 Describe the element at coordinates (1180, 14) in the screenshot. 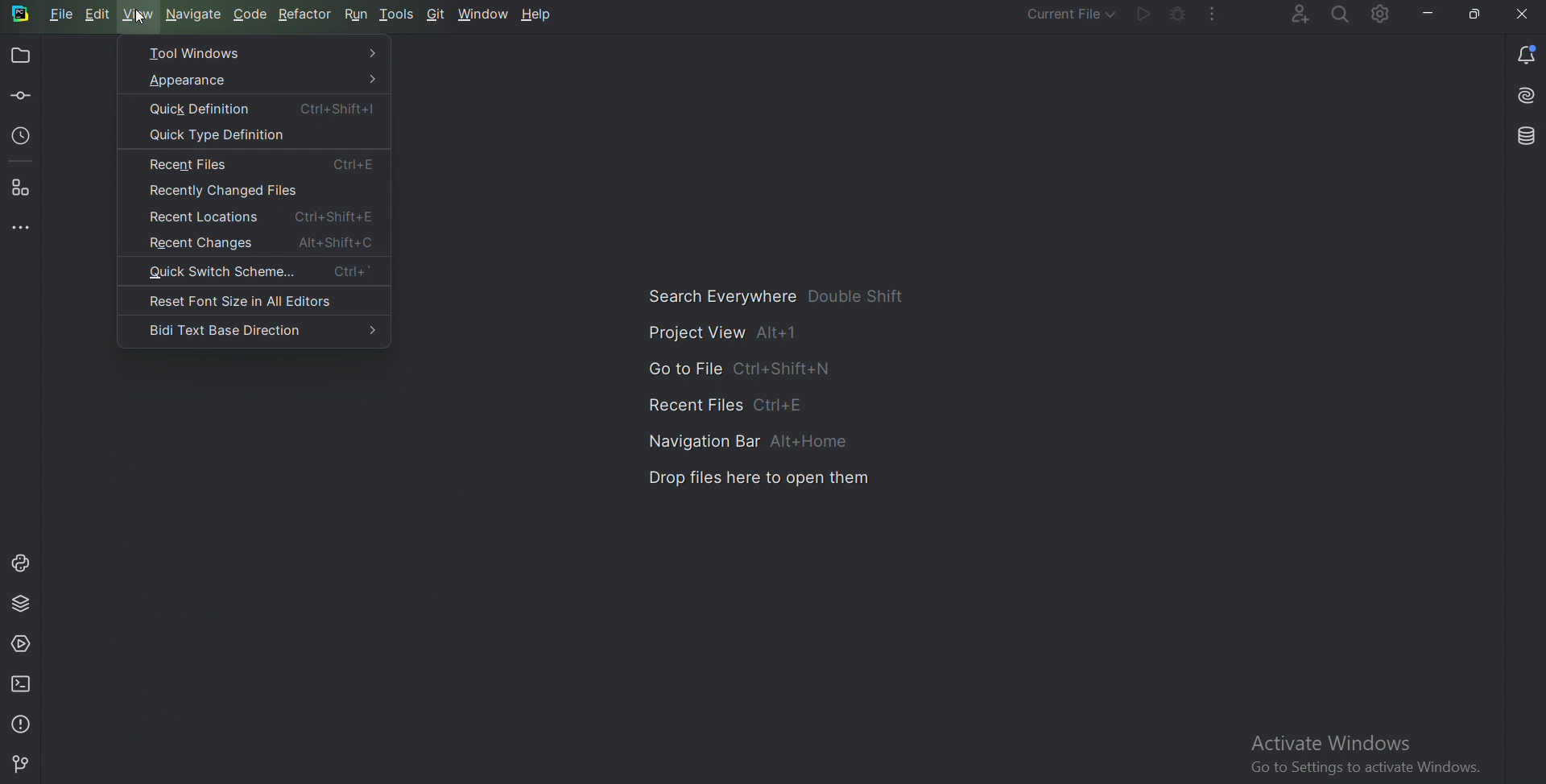

I see `Debug` at that location.